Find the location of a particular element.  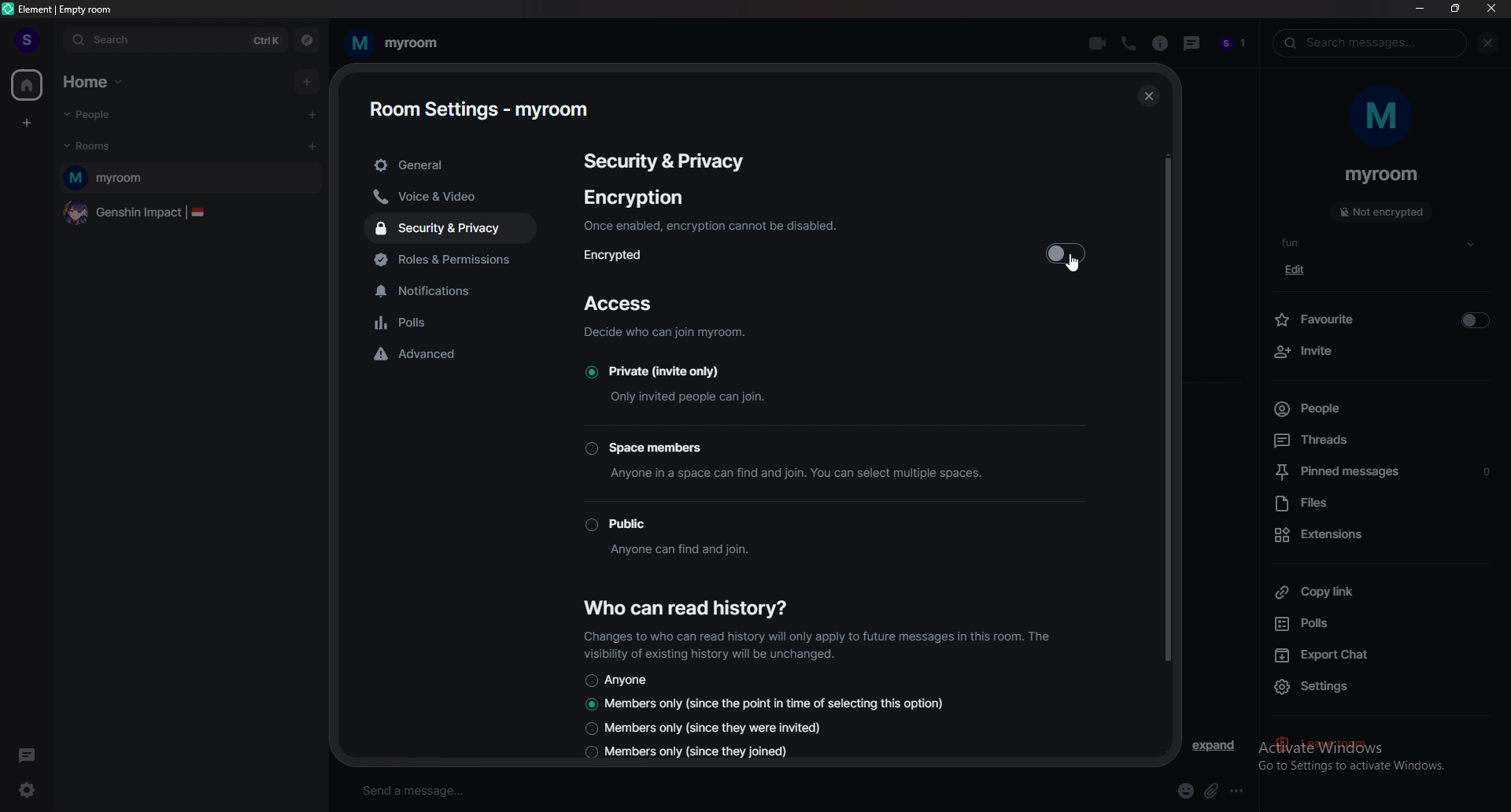

people is located at coordinates (1236, 44).